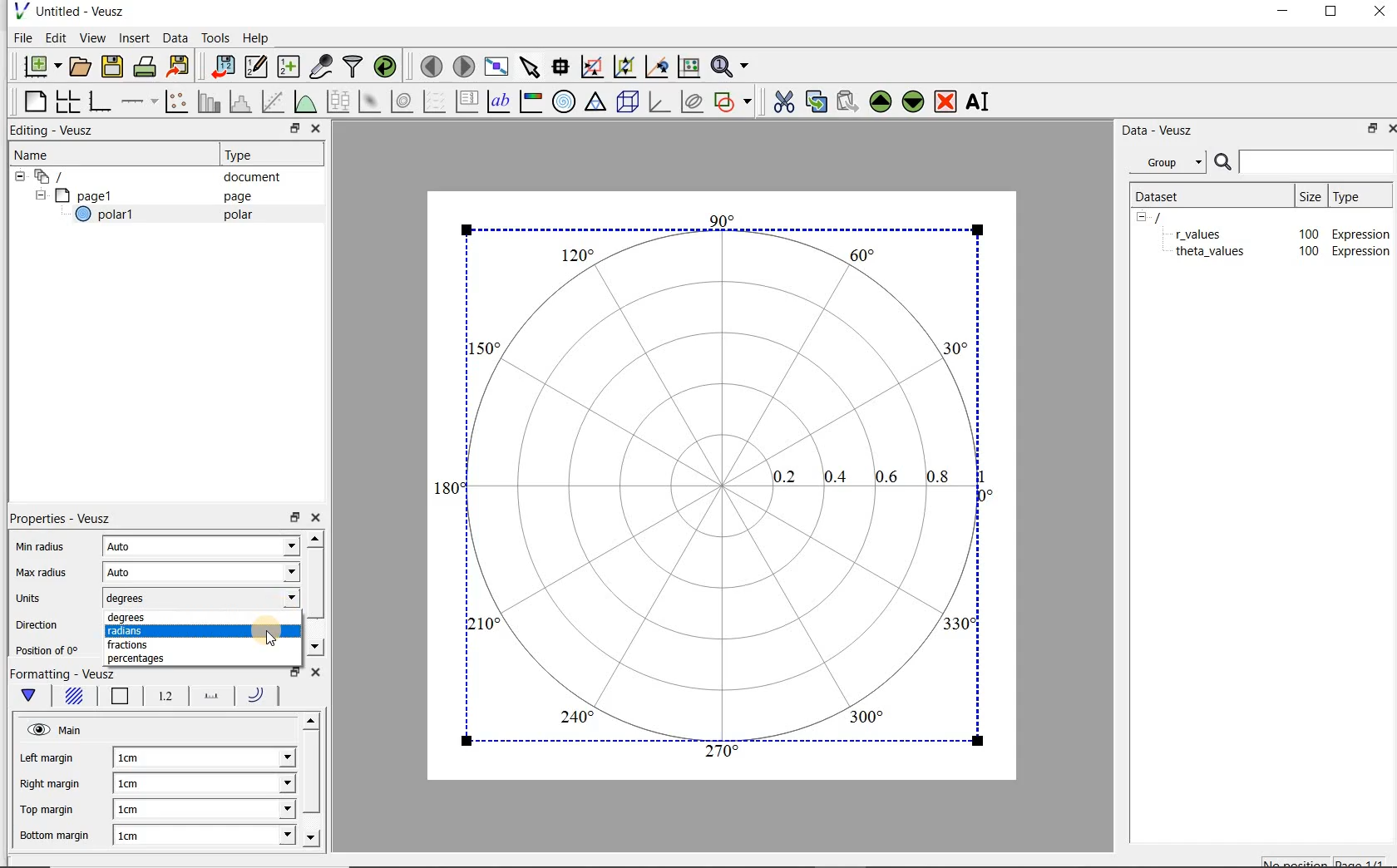  What do you see at coordinates (1305, 160) in the screenshot?
I see `Search bar` at bounding box center [1305, 160].